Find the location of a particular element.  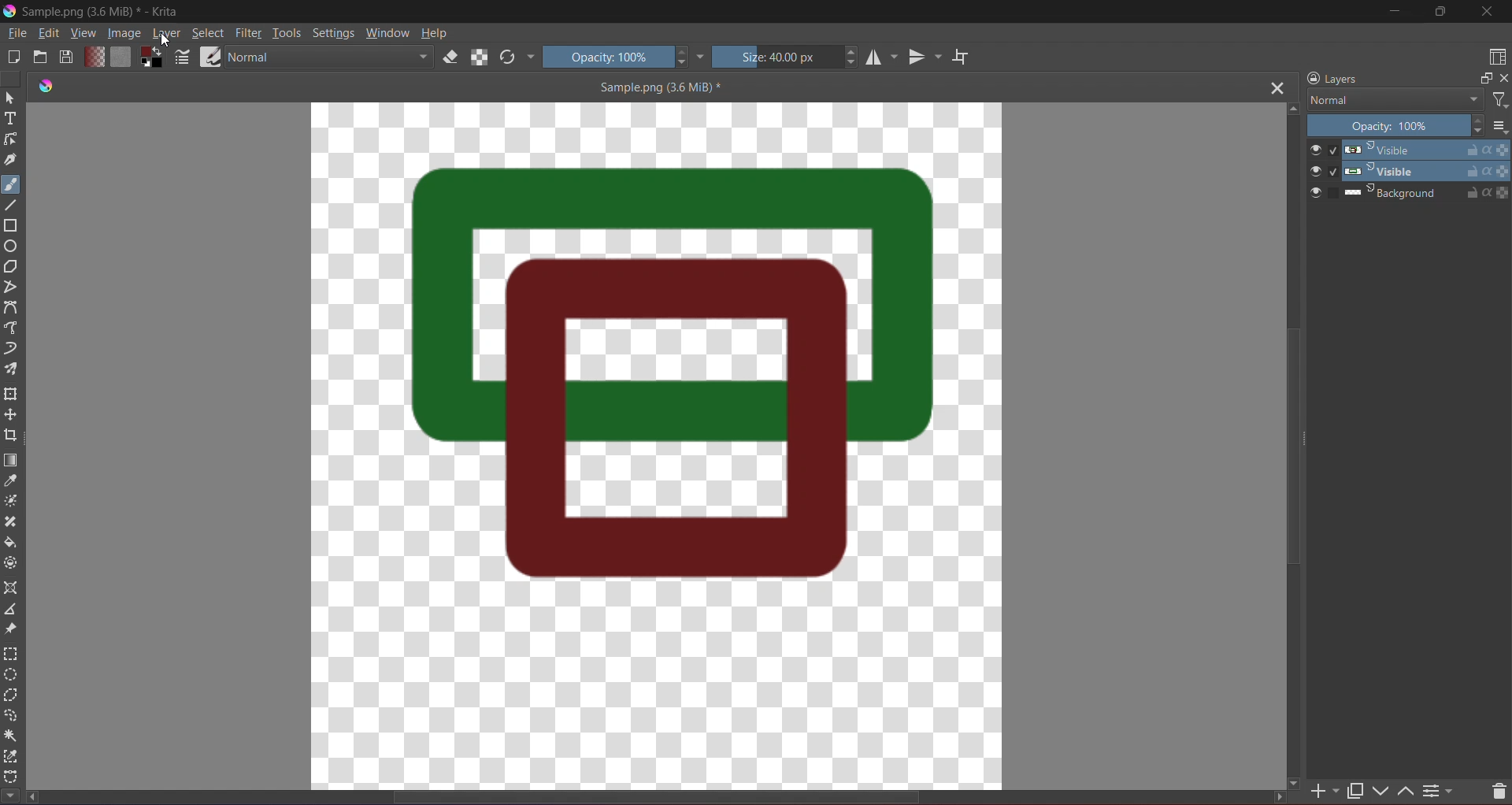

Image is located at coordinates (122, 34).